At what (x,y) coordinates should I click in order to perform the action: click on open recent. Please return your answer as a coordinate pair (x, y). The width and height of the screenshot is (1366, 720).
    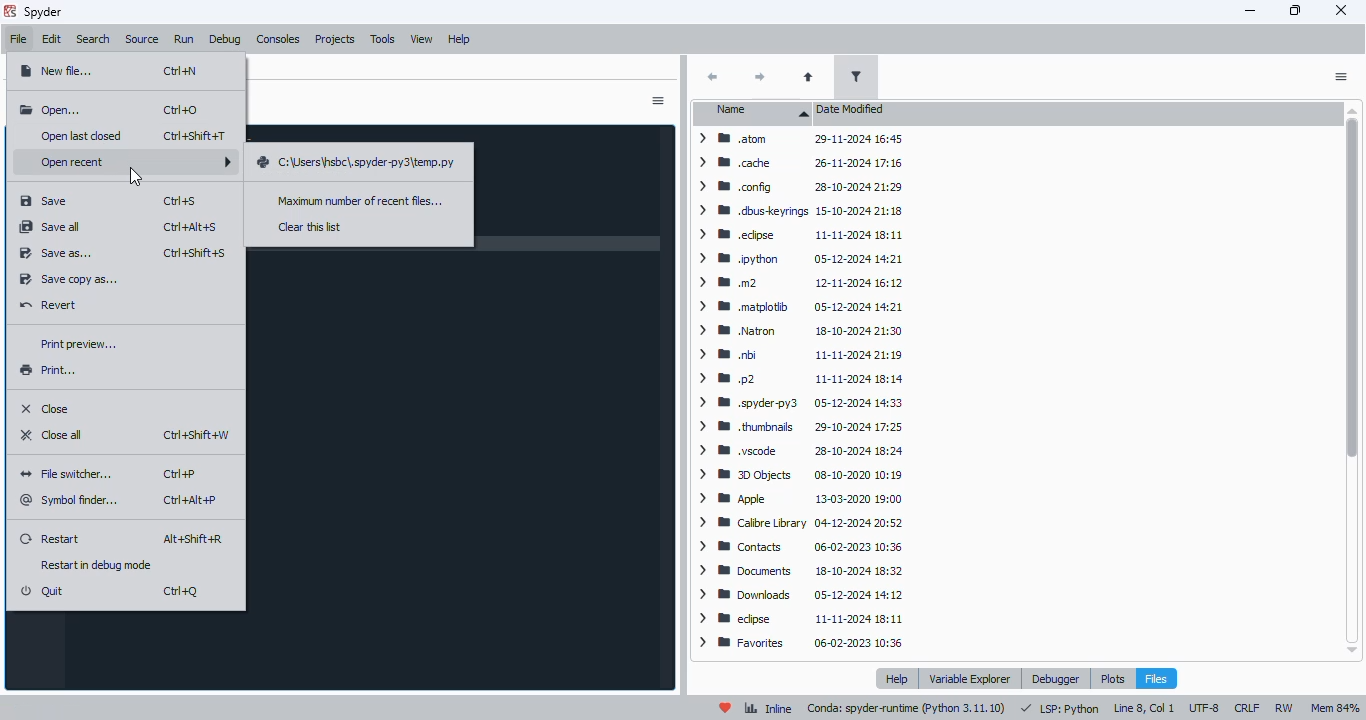
    Looking at the image, I should click on (132, 161).